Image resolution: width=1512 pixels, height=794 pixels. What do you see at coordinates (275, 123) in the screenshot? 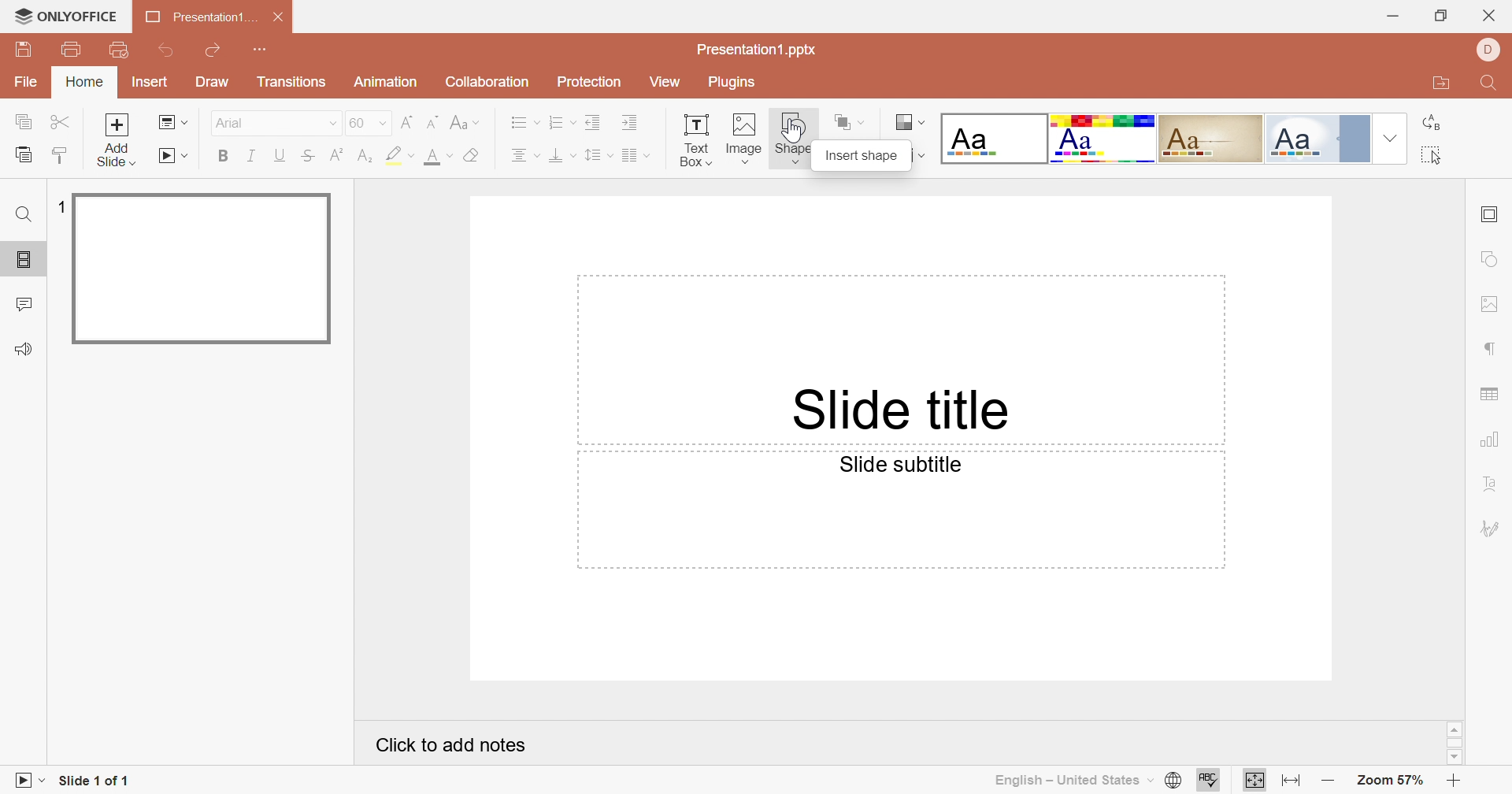
I see `Font` at bounding box center [275, 123].